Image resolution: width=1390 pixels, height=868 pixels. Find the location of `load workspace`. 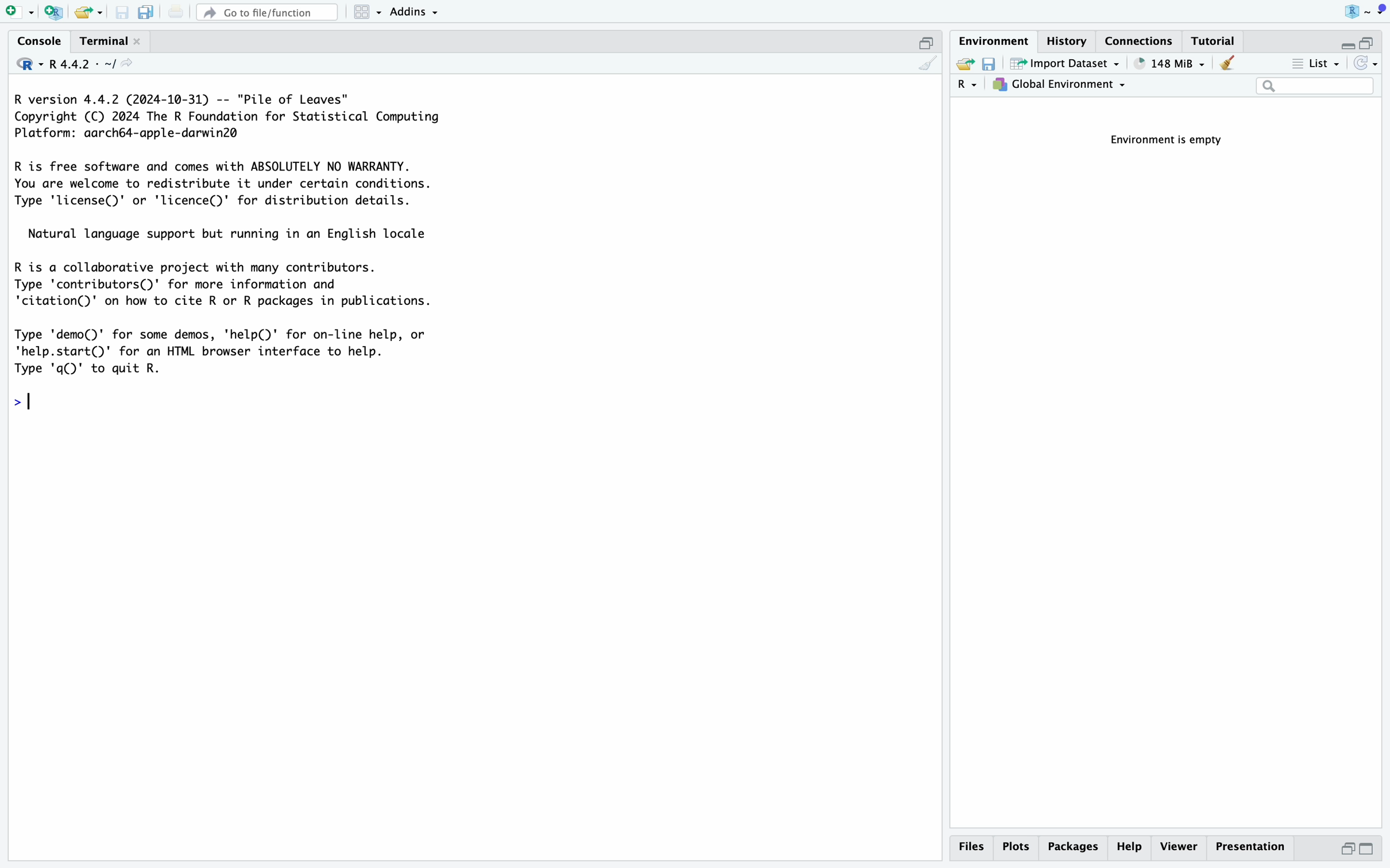

load workspace is located at coordinates (964, 65).